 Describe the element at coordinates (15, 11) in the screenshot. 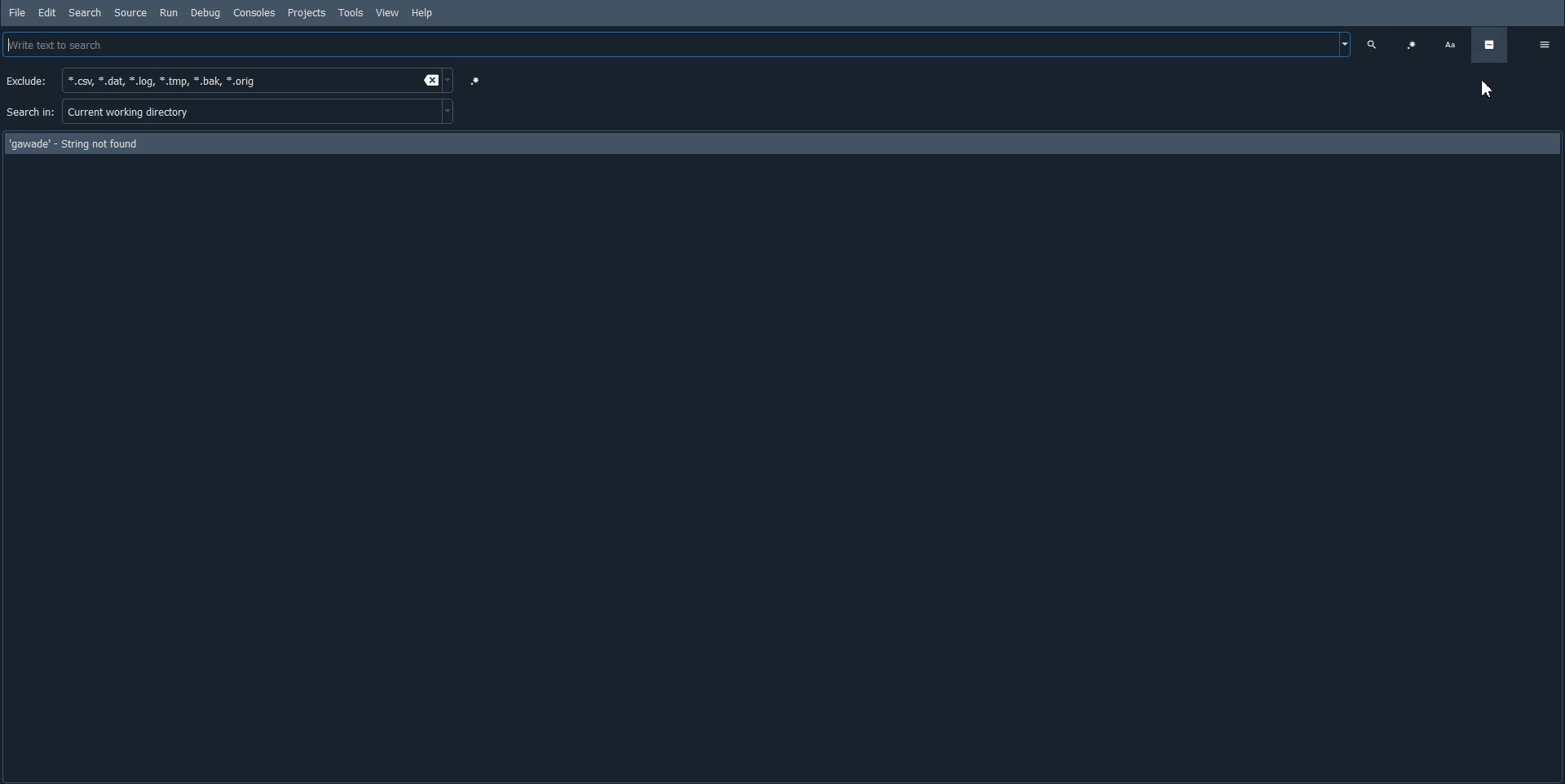

I see `File` at that location.